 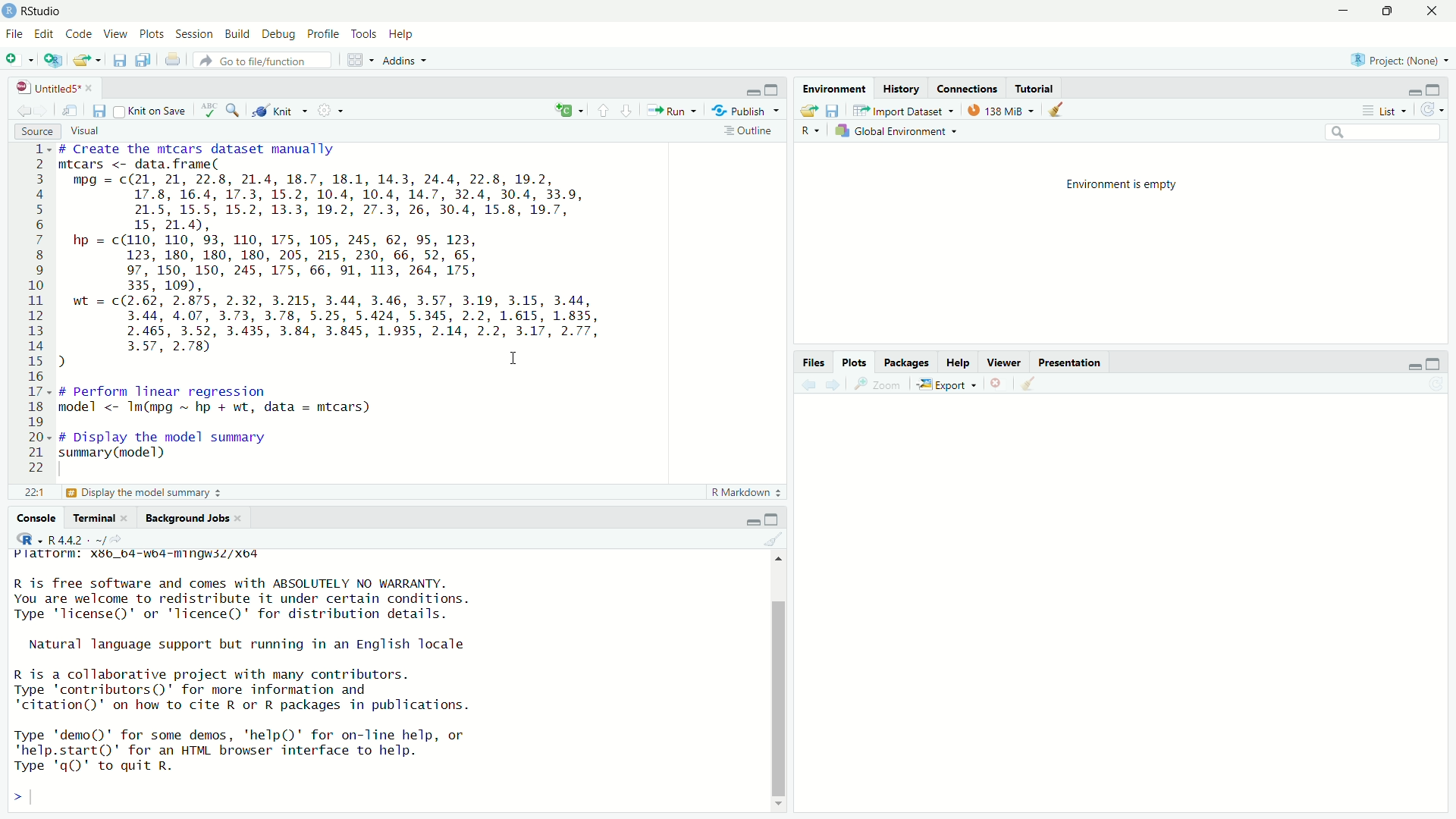 I want to click on build, so click(x=236, y=34).